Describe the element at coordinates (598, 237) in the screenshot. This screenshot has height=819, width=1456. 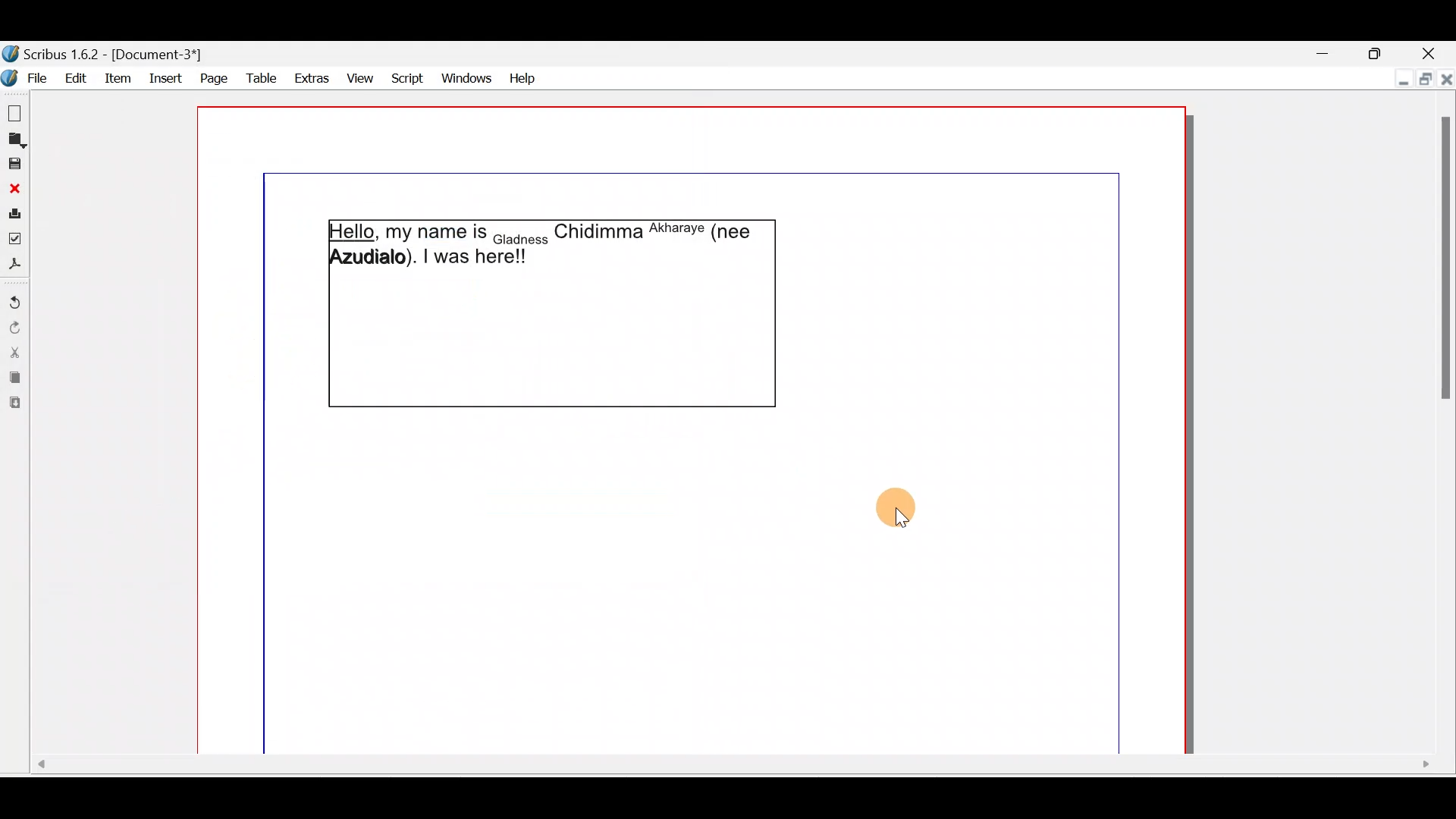
I see `Chidimma` at that location.